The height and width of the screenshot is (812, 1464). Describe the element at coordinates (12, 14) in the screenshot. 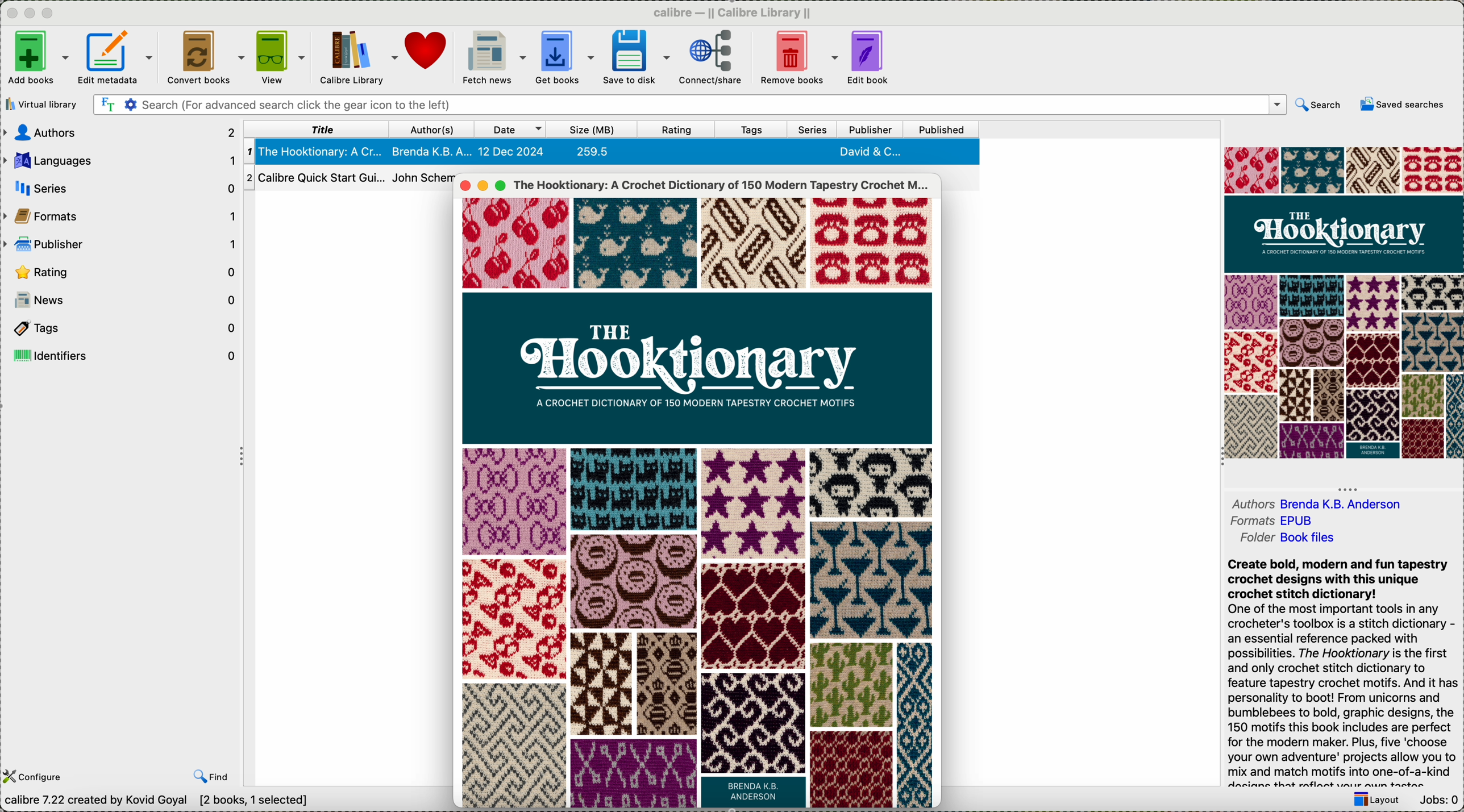

I see `close program` at that location.